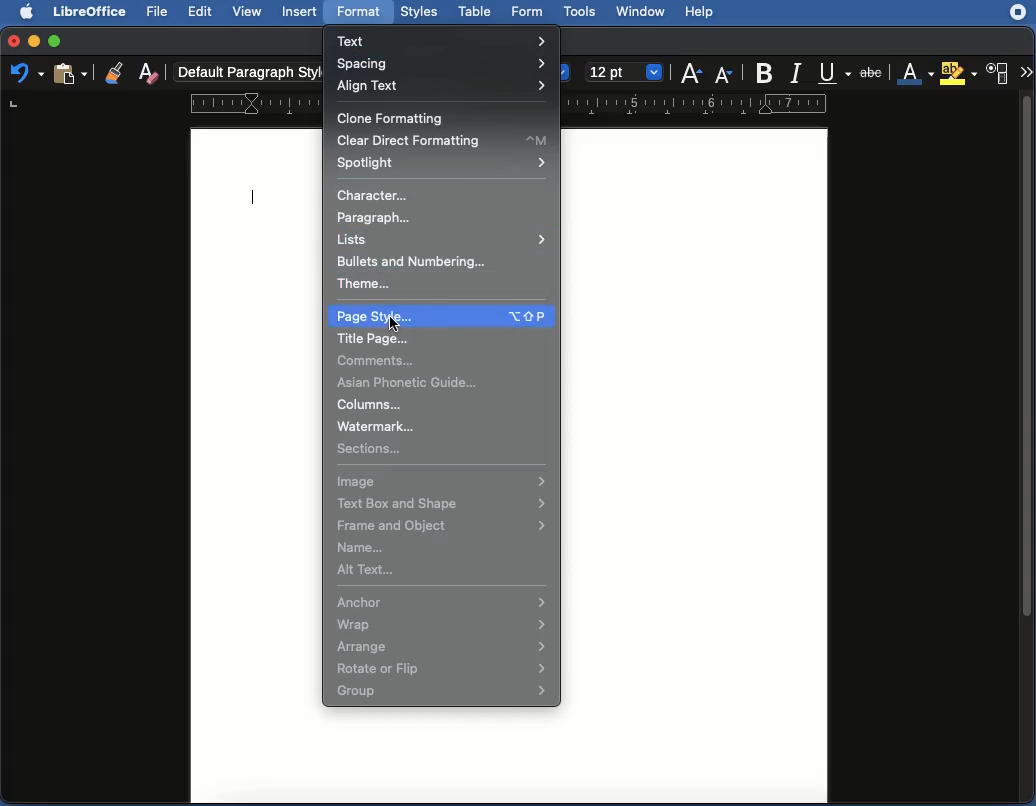 Image resolution: width=1036 pixels, height=806 pixels. Describe the element at coordinates (375, 339) in the screenshot. I see `Title page` at that location.